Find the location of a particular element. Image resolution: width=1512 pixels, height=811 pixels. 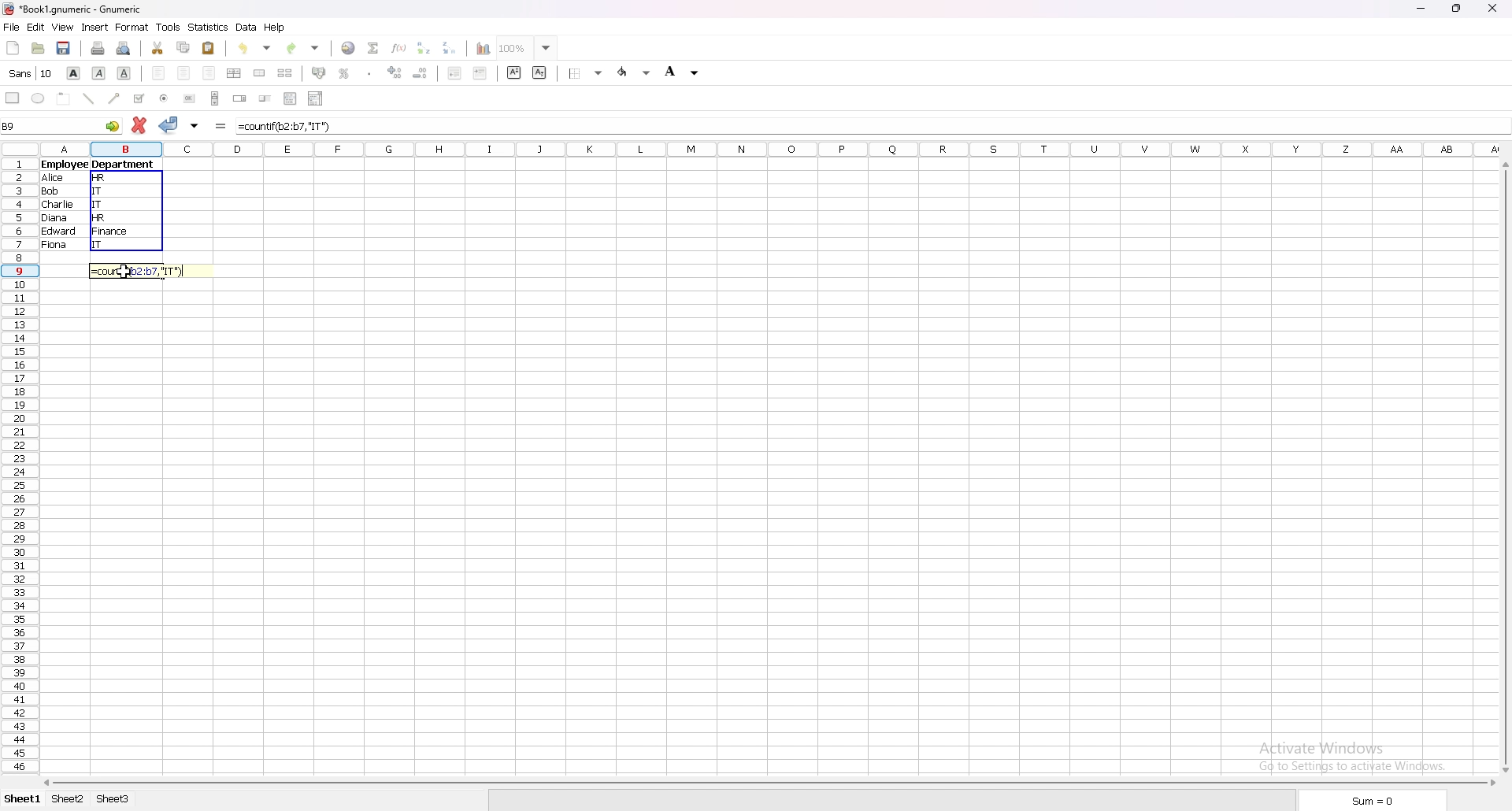

slider is located at coordinates (266, 99).